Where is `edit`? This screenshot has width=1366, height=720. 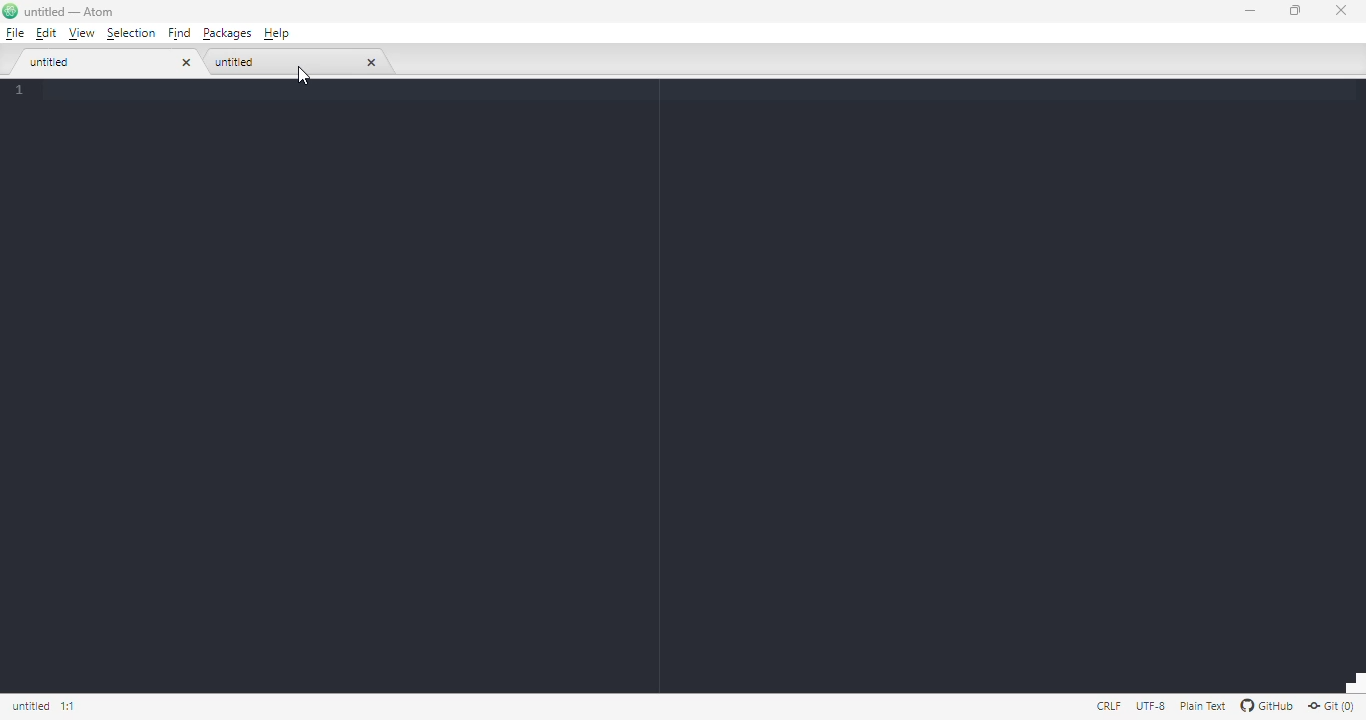 edit is located at coordinates (46, 34).